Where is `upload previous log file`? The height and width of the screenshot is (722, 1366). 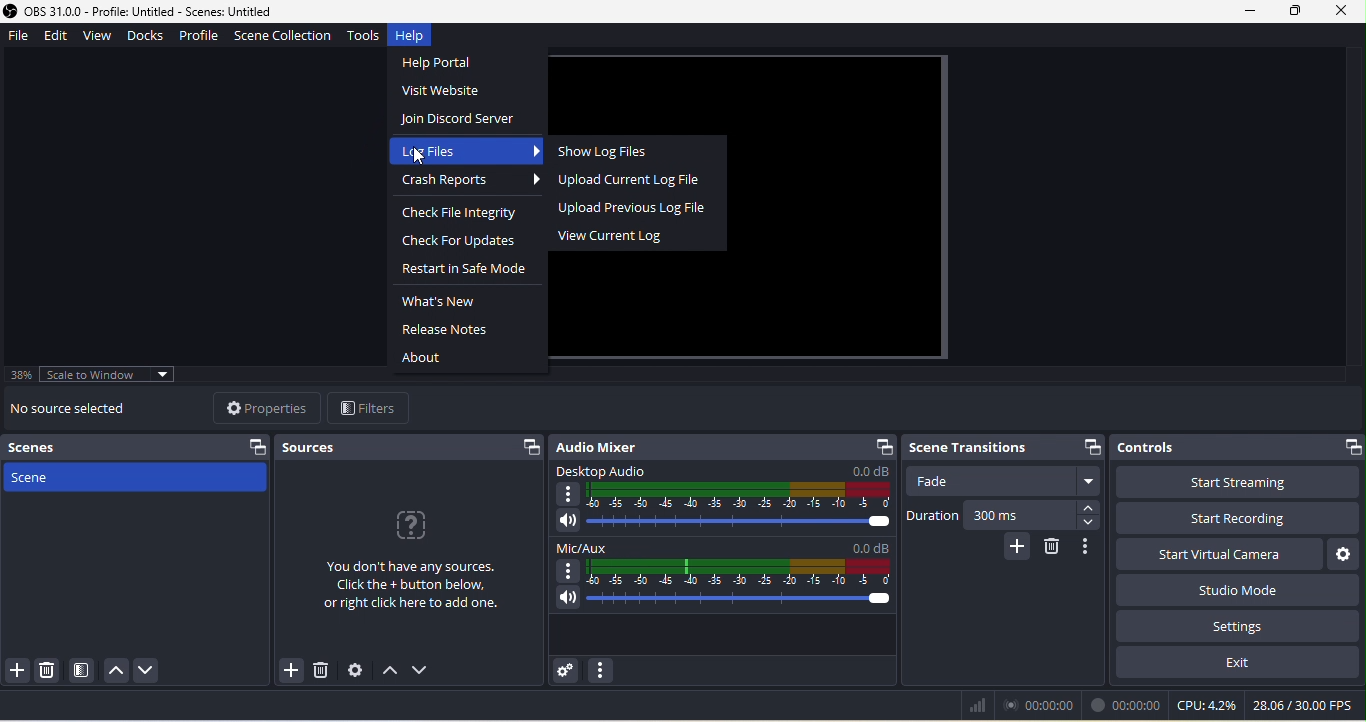
upload previous log file is located at coordinates (637, 209).